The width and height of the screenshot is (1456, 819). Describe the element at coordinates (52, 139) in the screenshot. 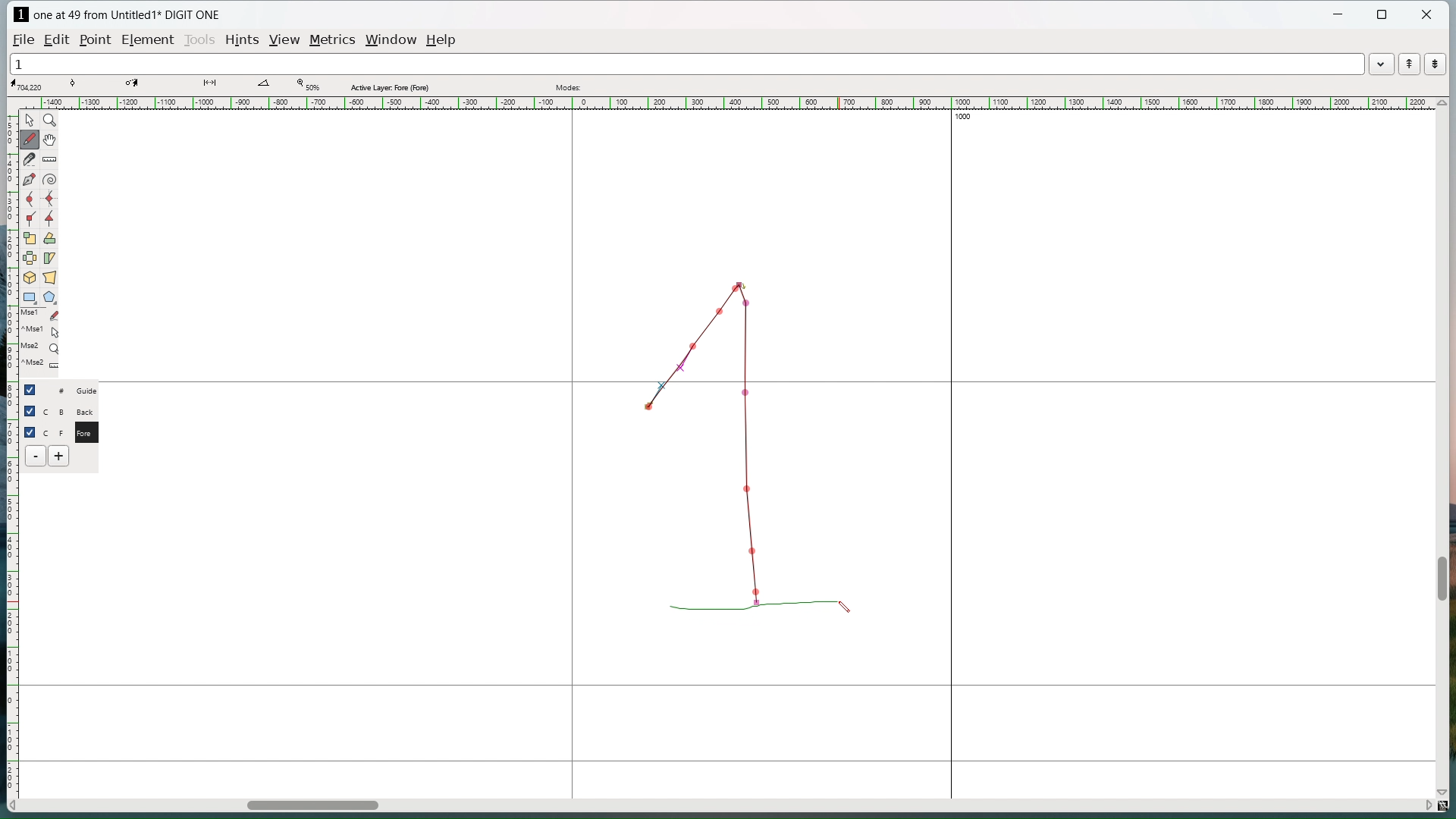

I see `scroll by hand` at that location.